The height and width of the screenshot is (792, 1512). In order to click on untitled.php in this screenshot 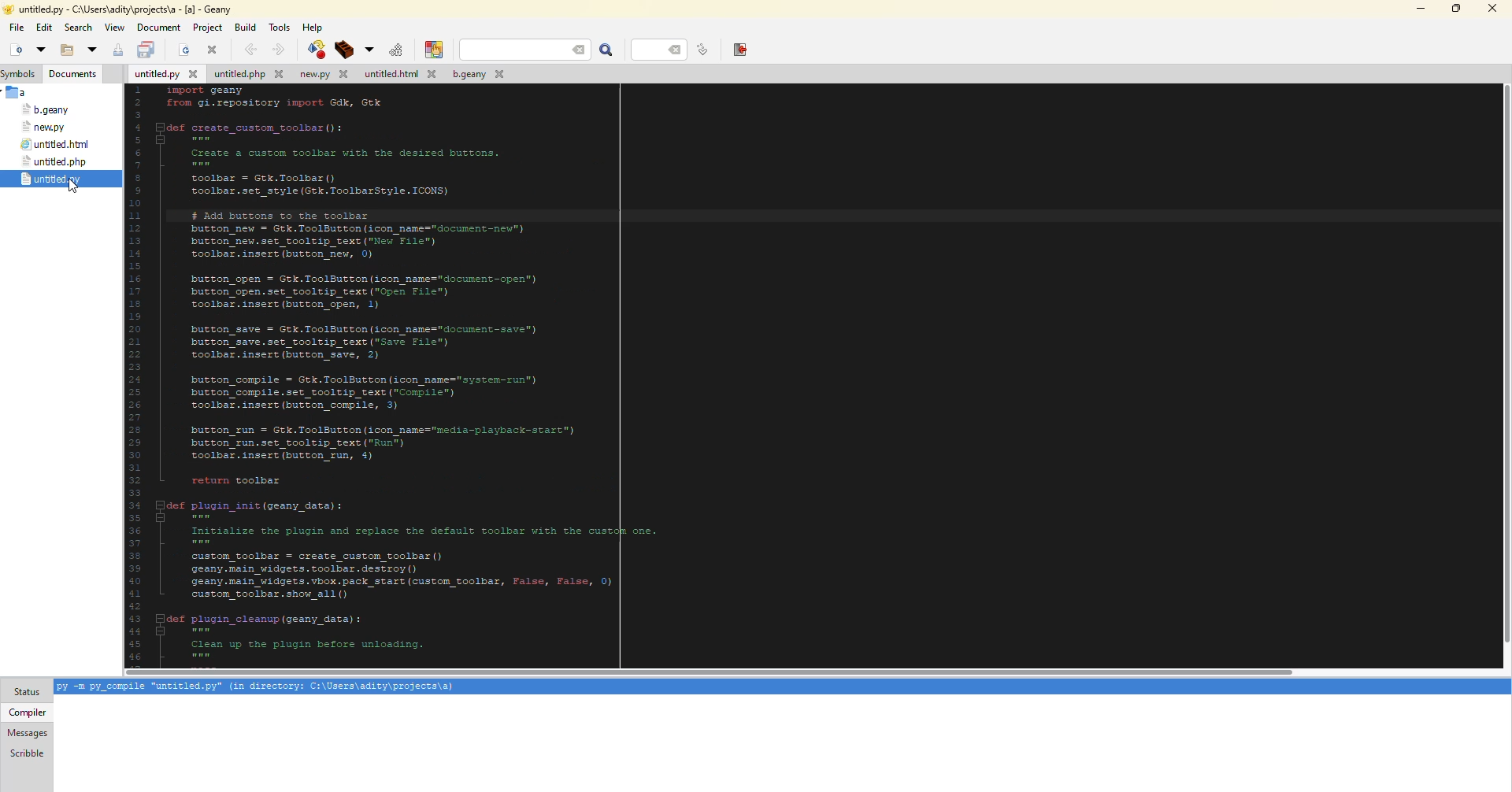, I will do `click(56, 161)`.